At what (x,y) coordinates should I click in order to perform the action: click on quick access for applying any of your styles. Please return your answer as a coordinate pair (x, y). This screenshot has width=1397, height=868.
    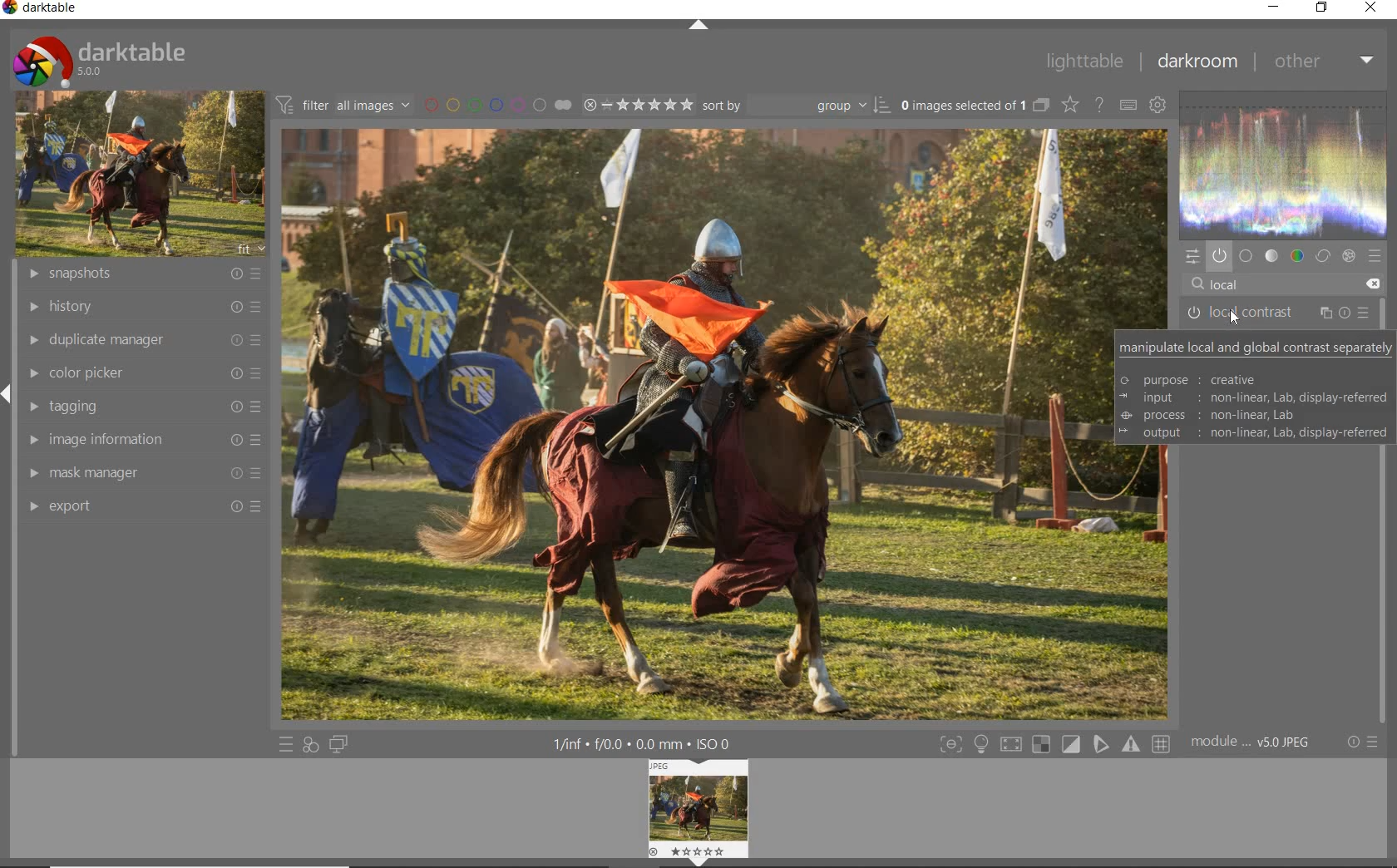
    Looking at the image, I should click on (312, 743).